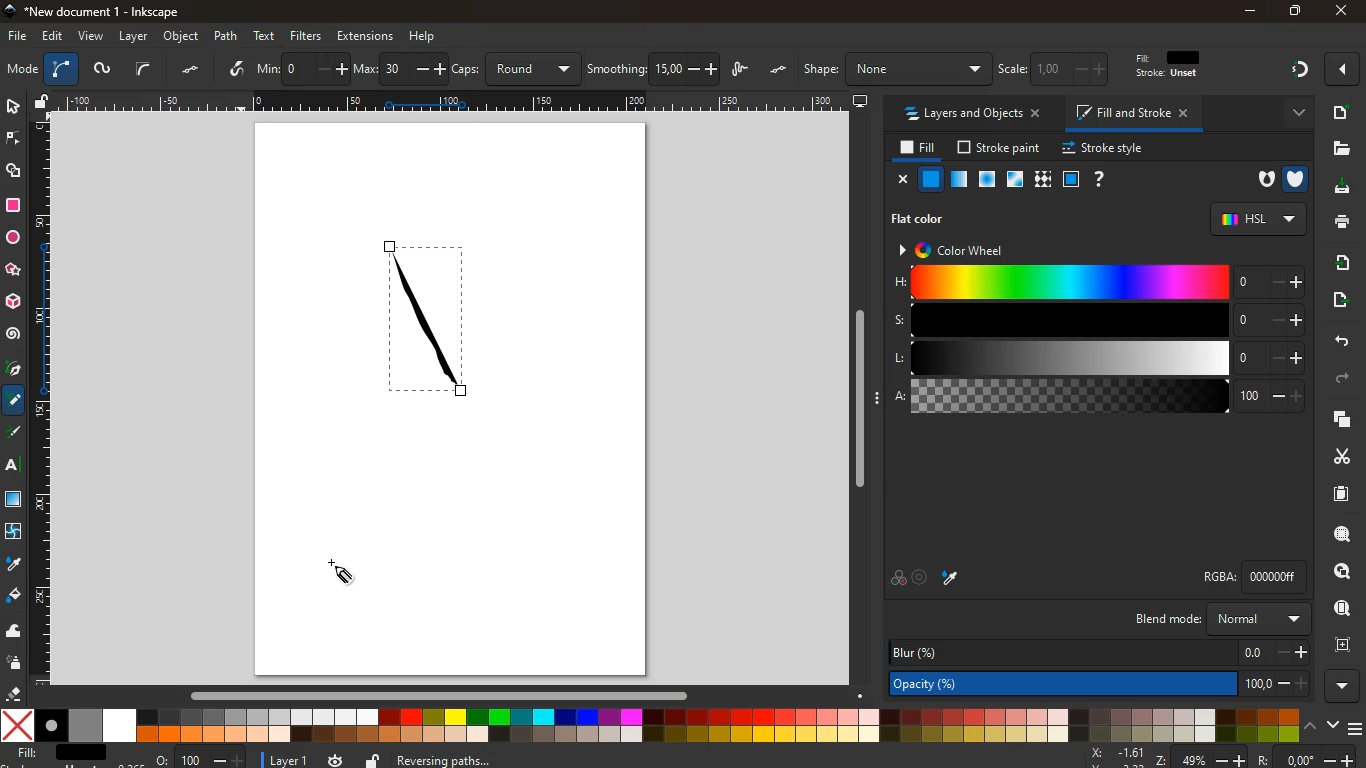 The image size is (1366, 768). I want to click on draw, so click(15, 436).